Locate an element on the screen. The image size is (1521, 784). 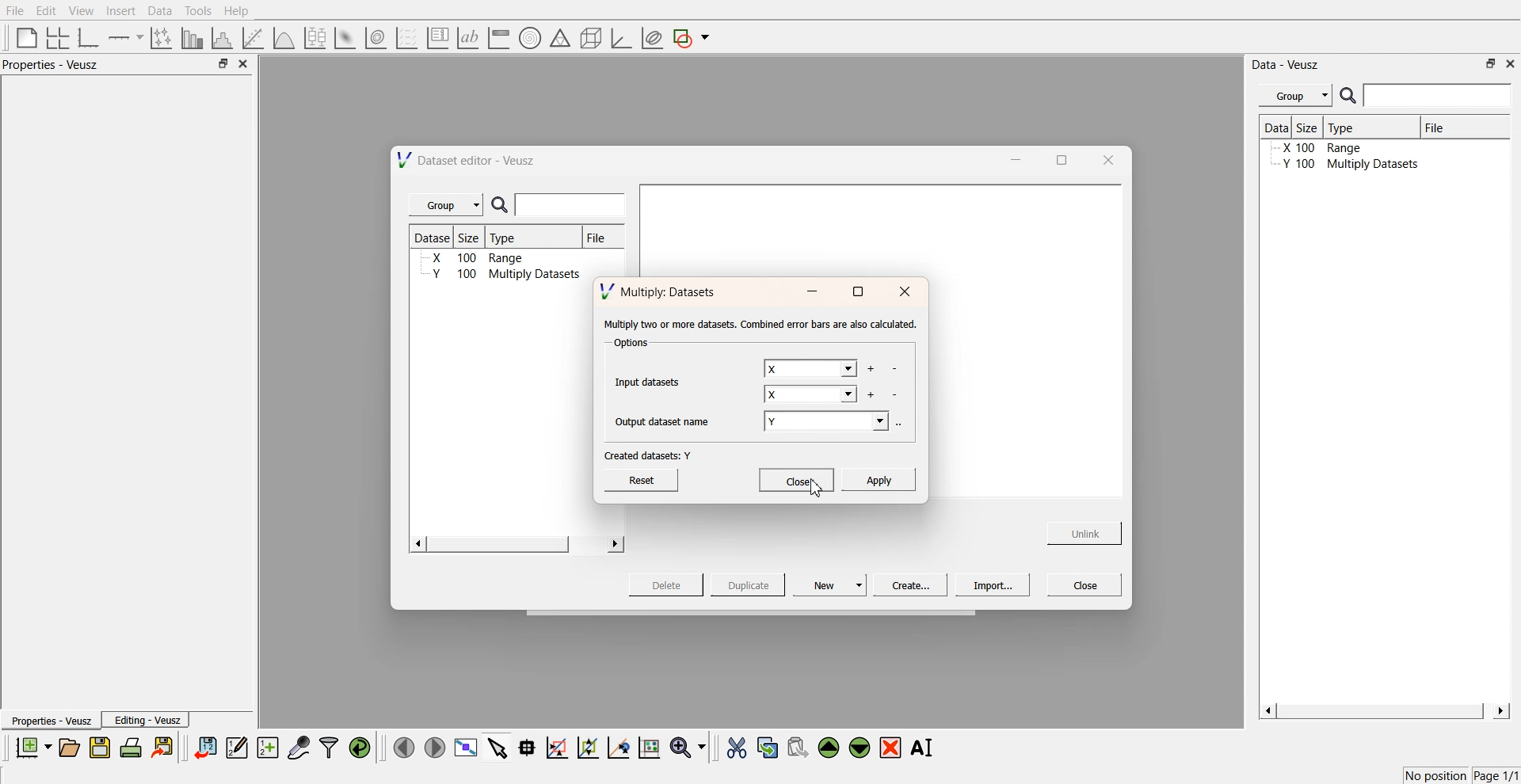
Type is located at coordinates (507, 238).